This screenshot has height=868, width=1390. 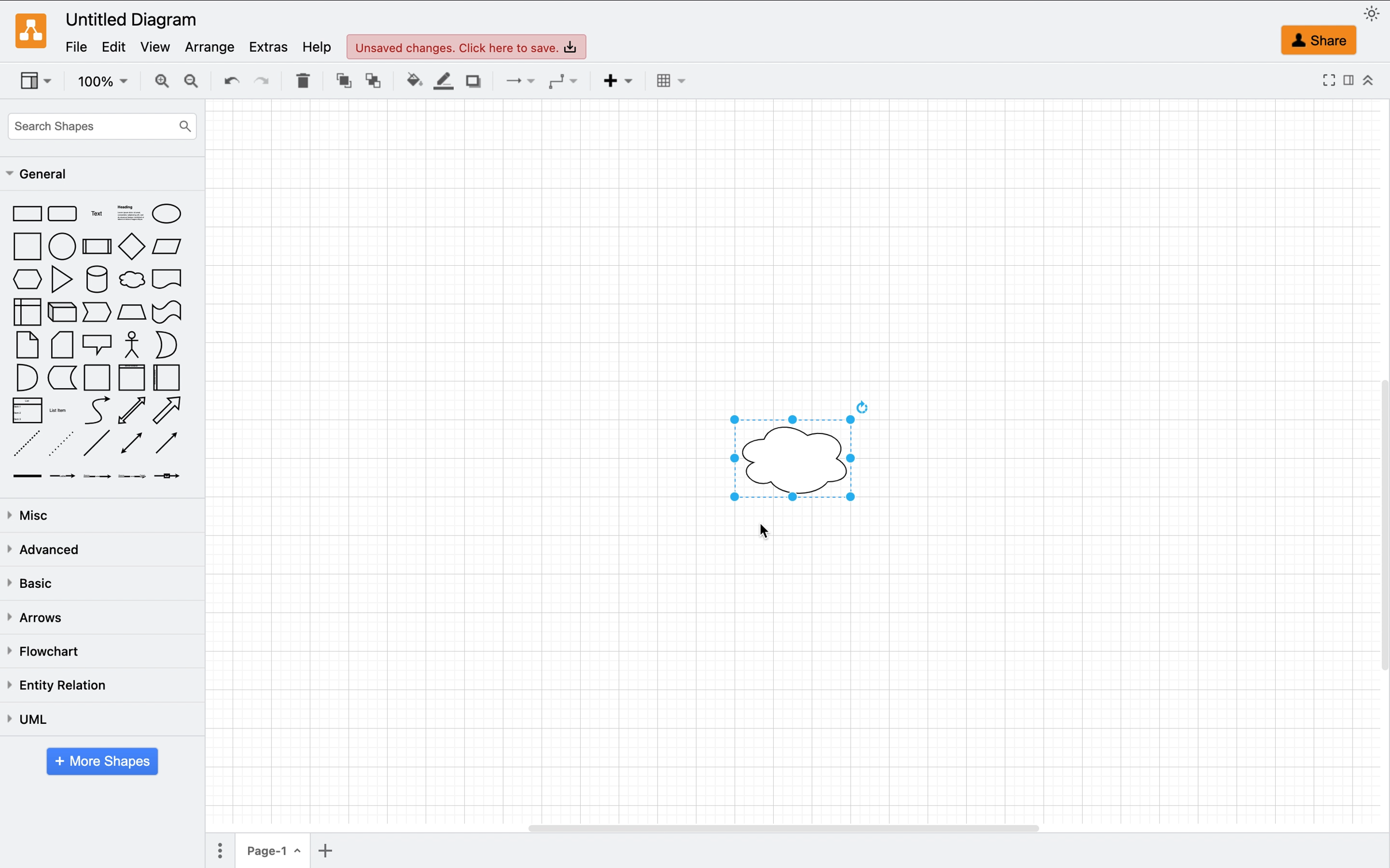 I want to click on share, so click(x=1312, y=39).